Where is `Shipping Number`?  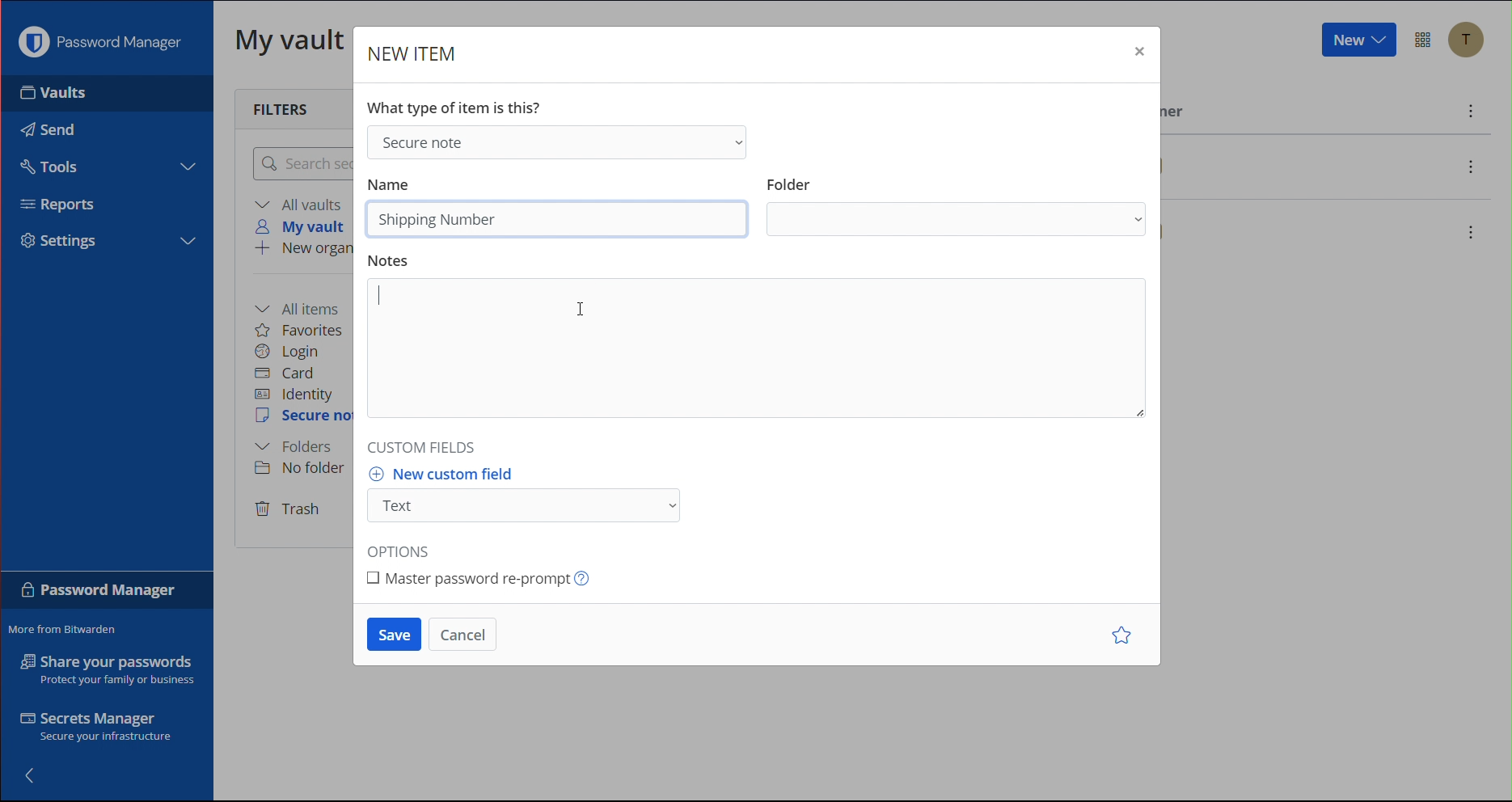
Shipping Number is located at coordinates (439, 219).